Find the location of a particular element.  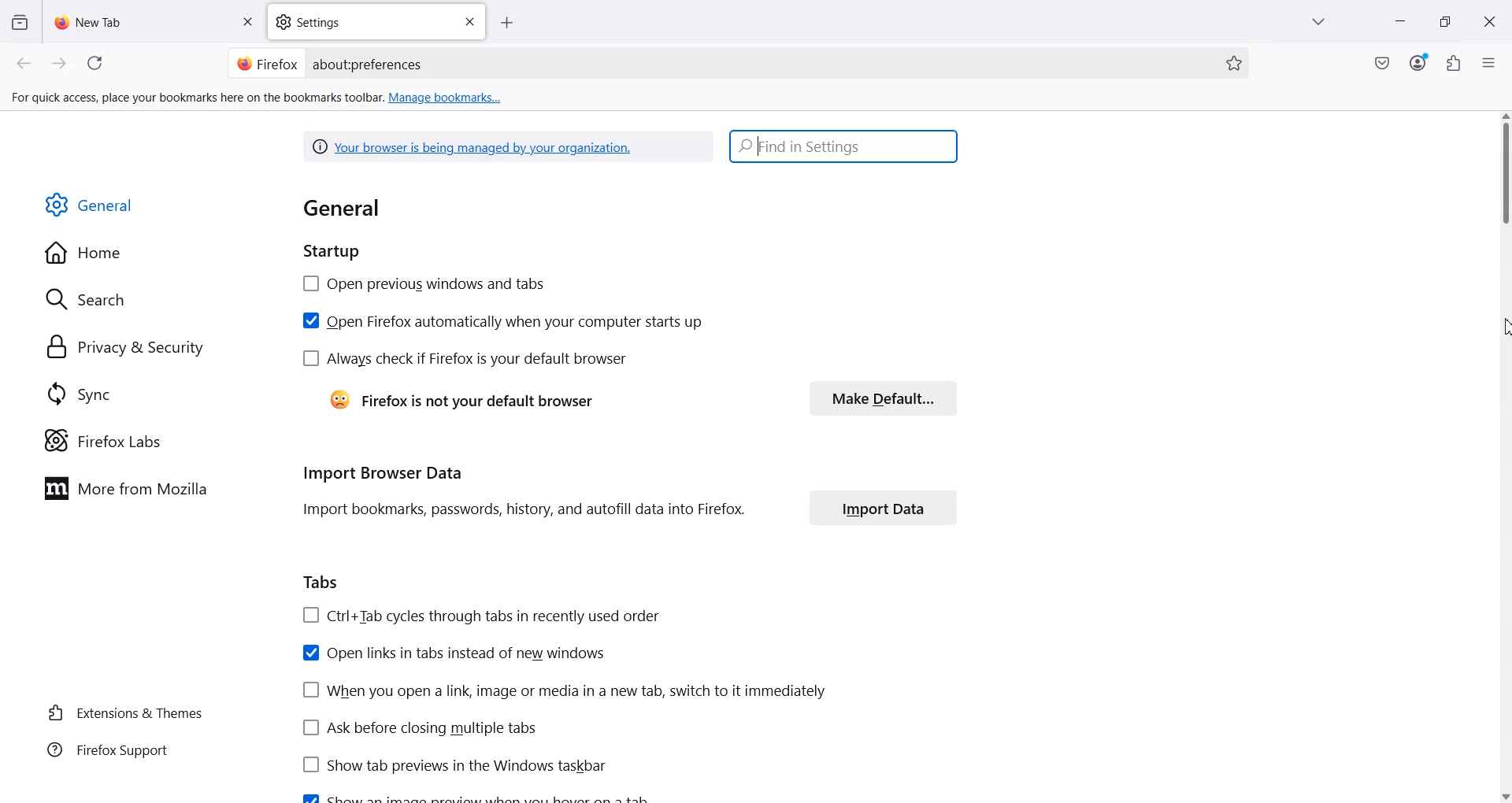

Import Data is located at coordinates (884, 507).